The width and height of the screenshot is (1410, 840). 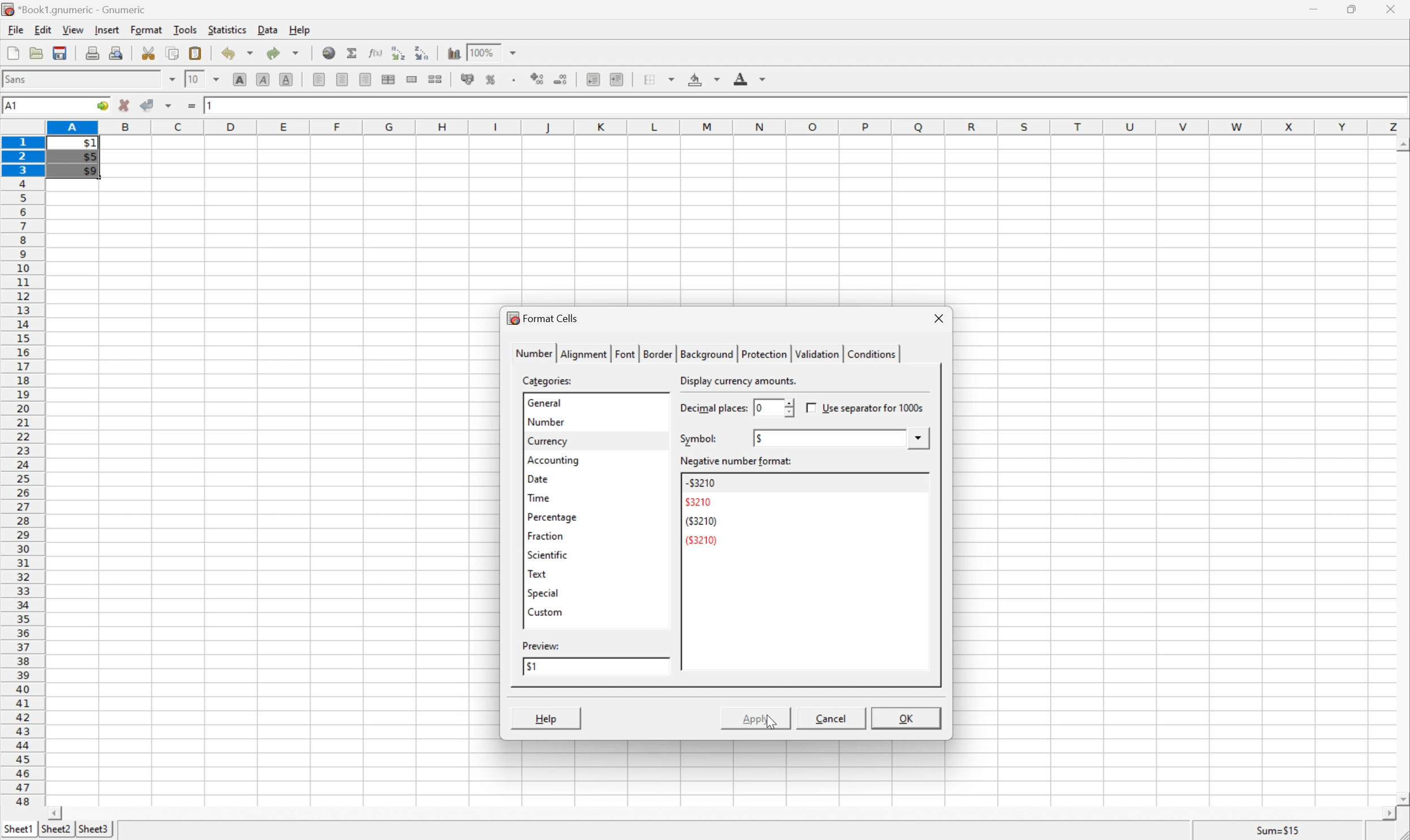 I want to click on print preview, so click(x=116, y=52).